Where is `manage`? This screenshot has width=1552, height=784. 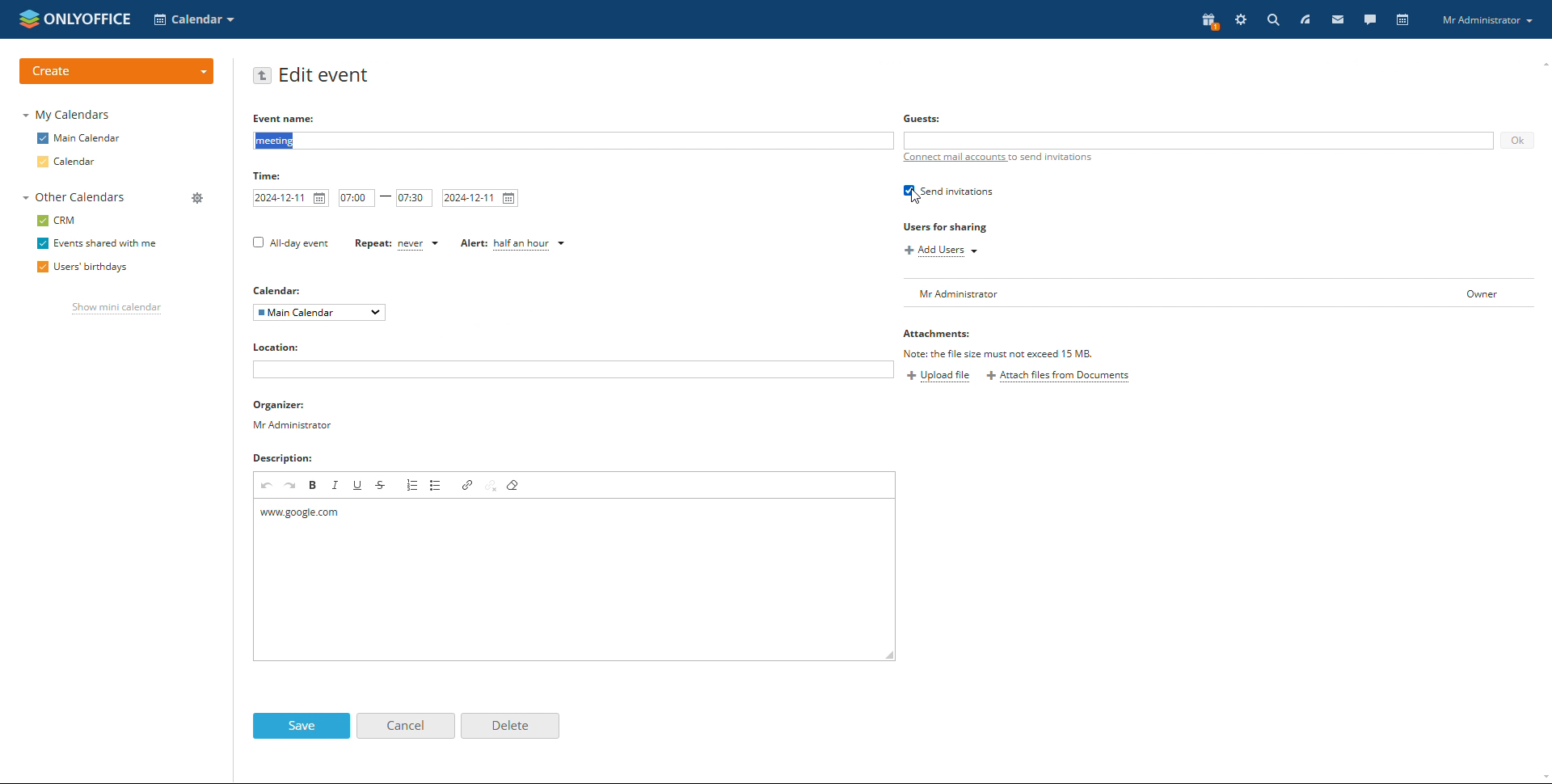
manage is located at coordinates (198, 199).